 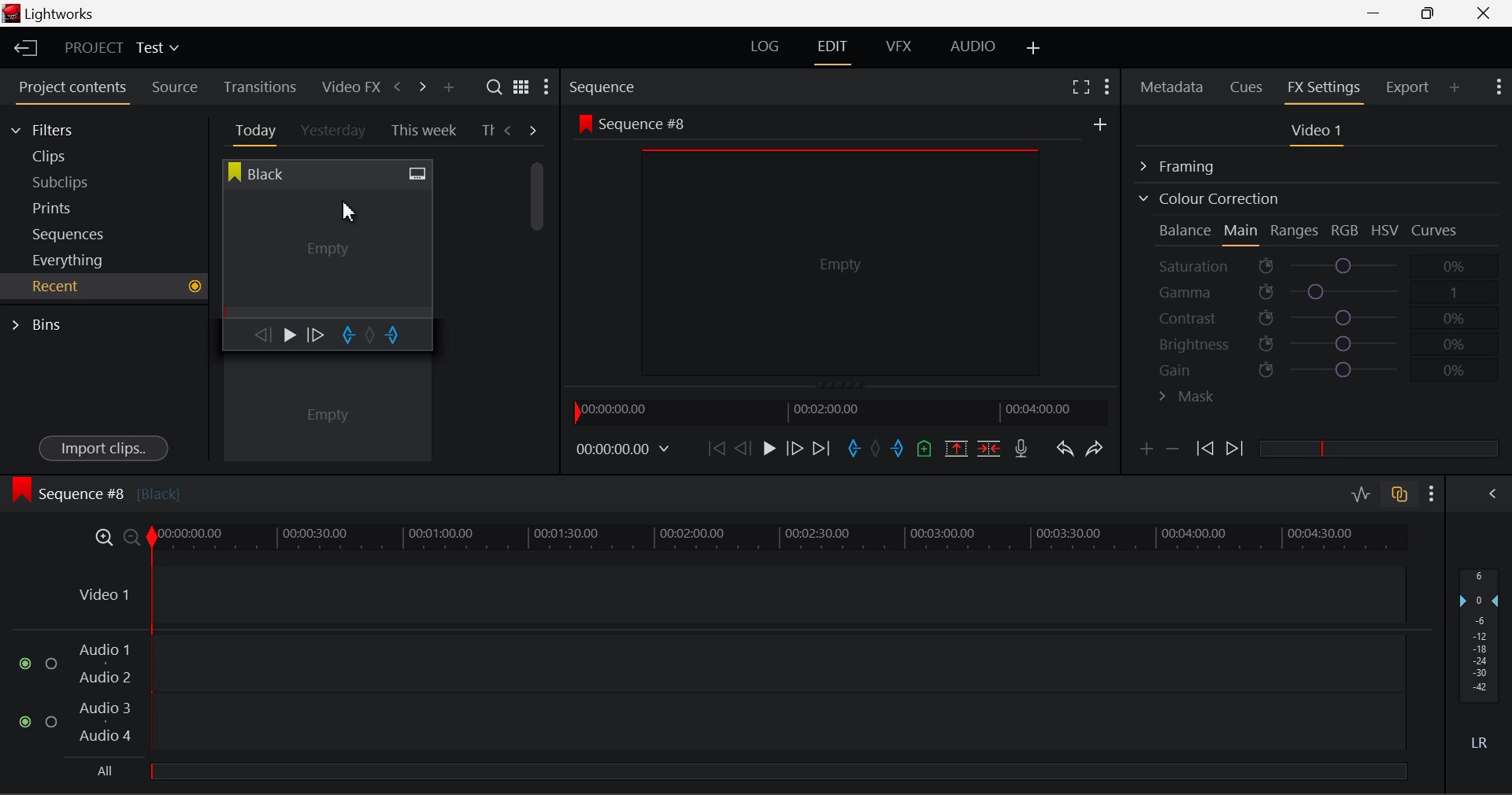 What do you see at coordinates (821, 449) in the screenshot?
I see `To End` at bounding box center [821, 449].